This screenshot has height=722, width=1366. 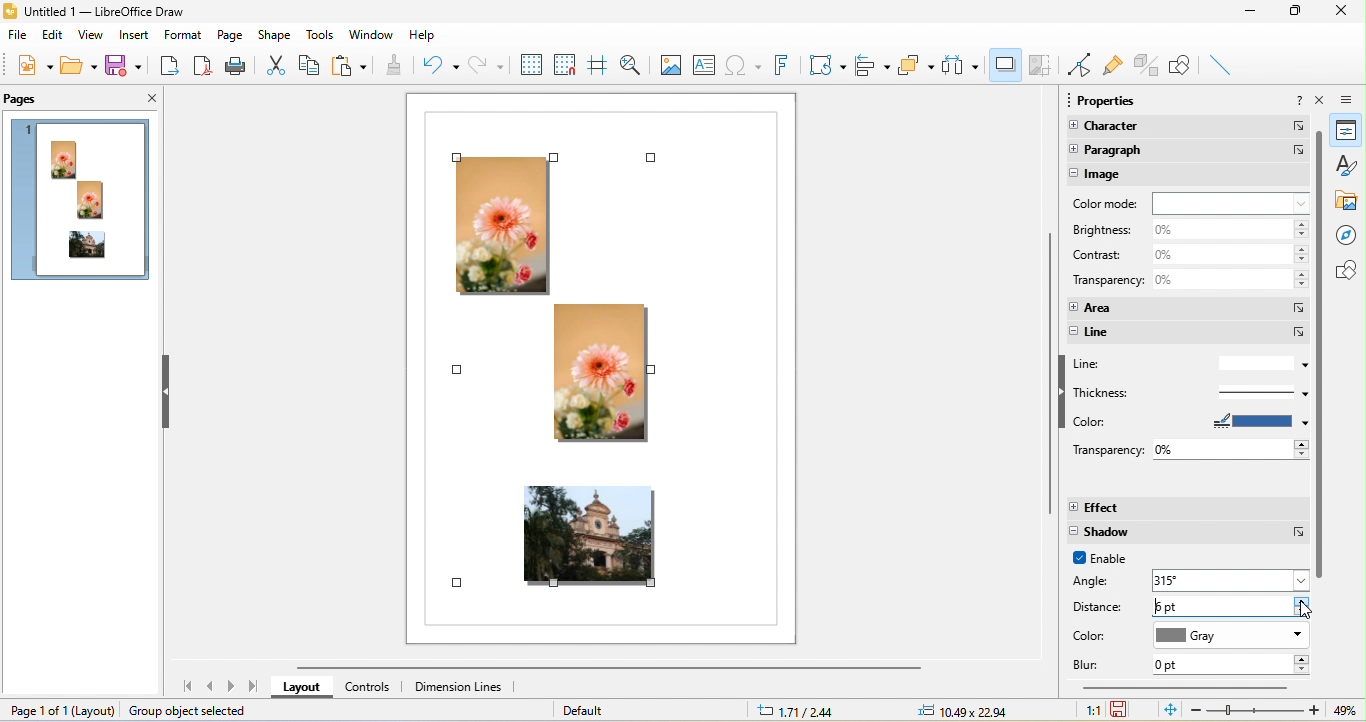 I want to click on redo, so click(x=485, y=63).